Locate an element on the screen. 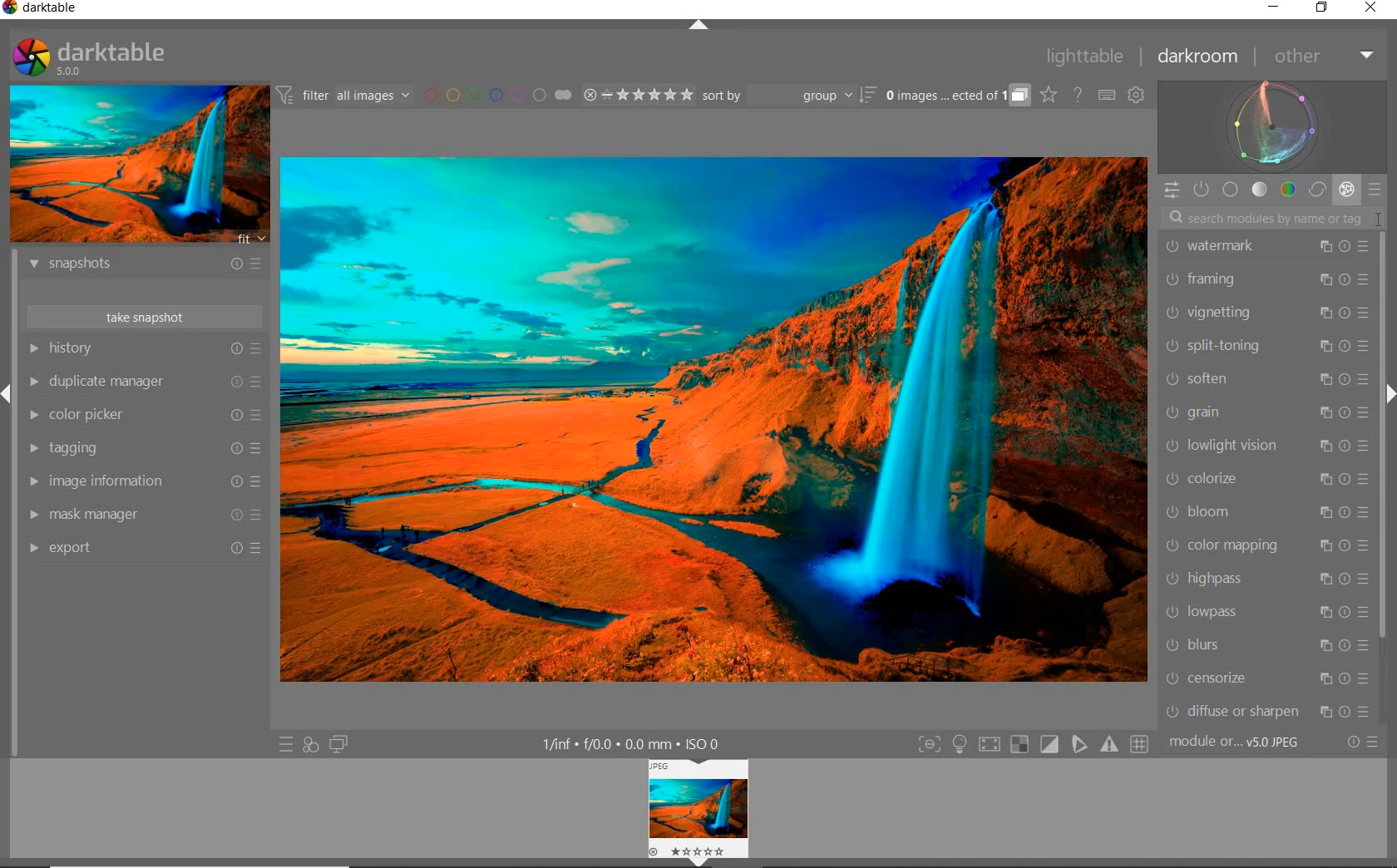 The width and height of the screenshot is (1397, 868). darkroom is located at coordinates (1198, 57).